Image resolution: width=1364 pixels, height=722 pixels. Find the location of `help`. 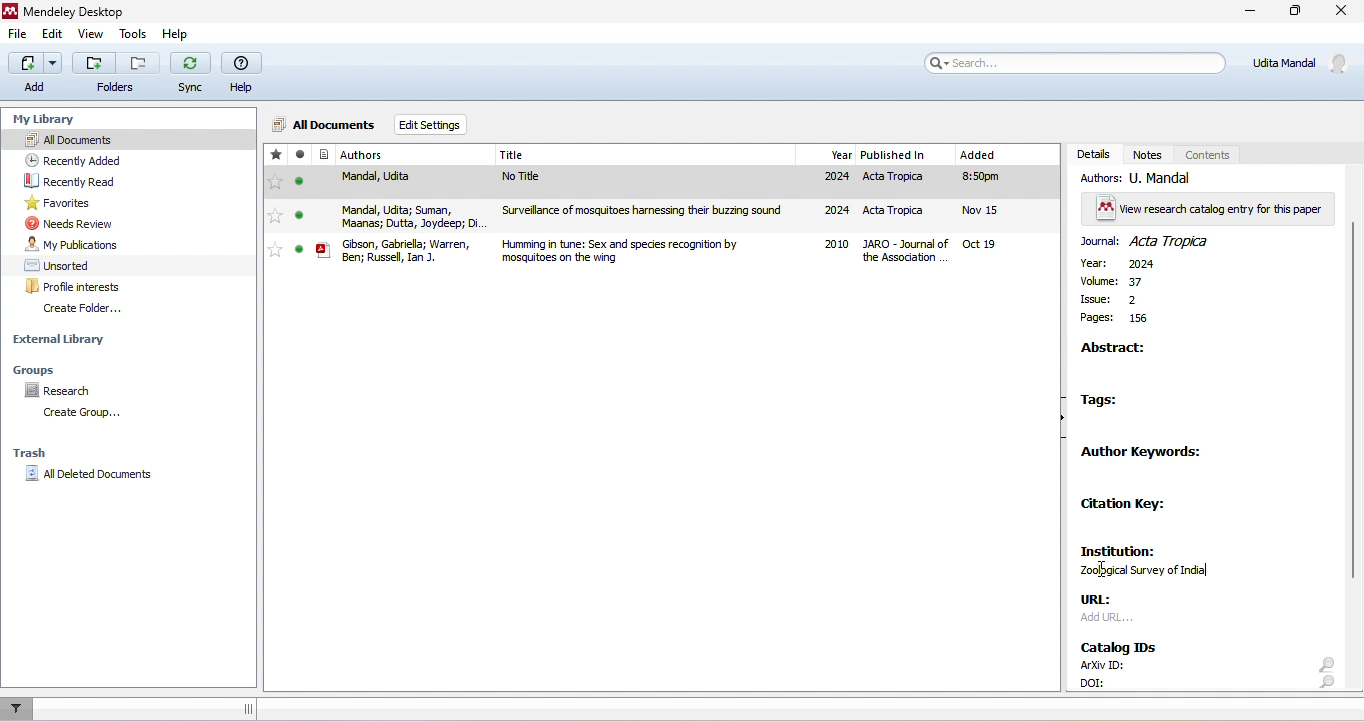

help is located at coordinates (246, 70).